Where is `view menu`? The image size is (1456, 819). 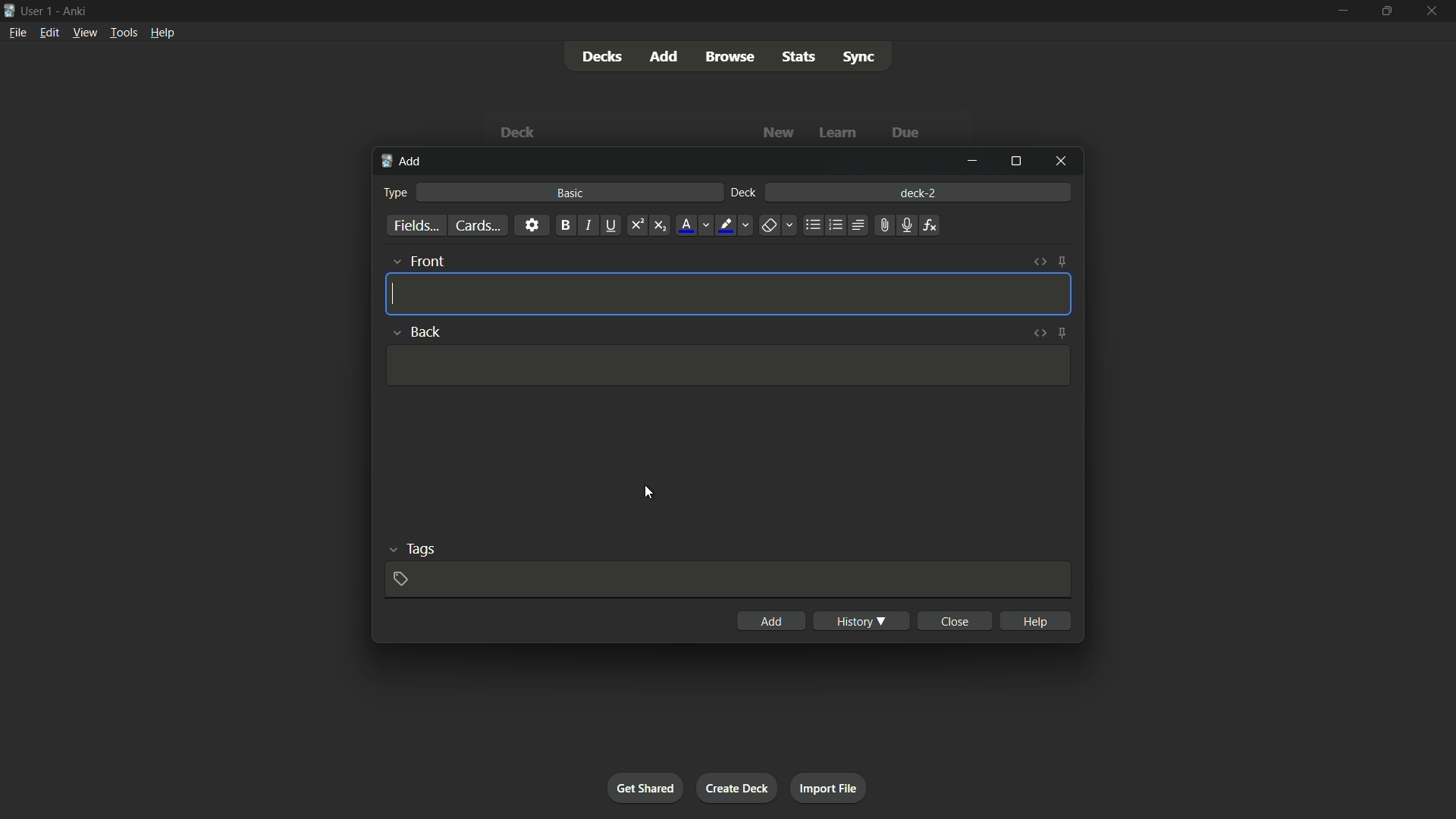
view menu is located at coordinates (84, 33).